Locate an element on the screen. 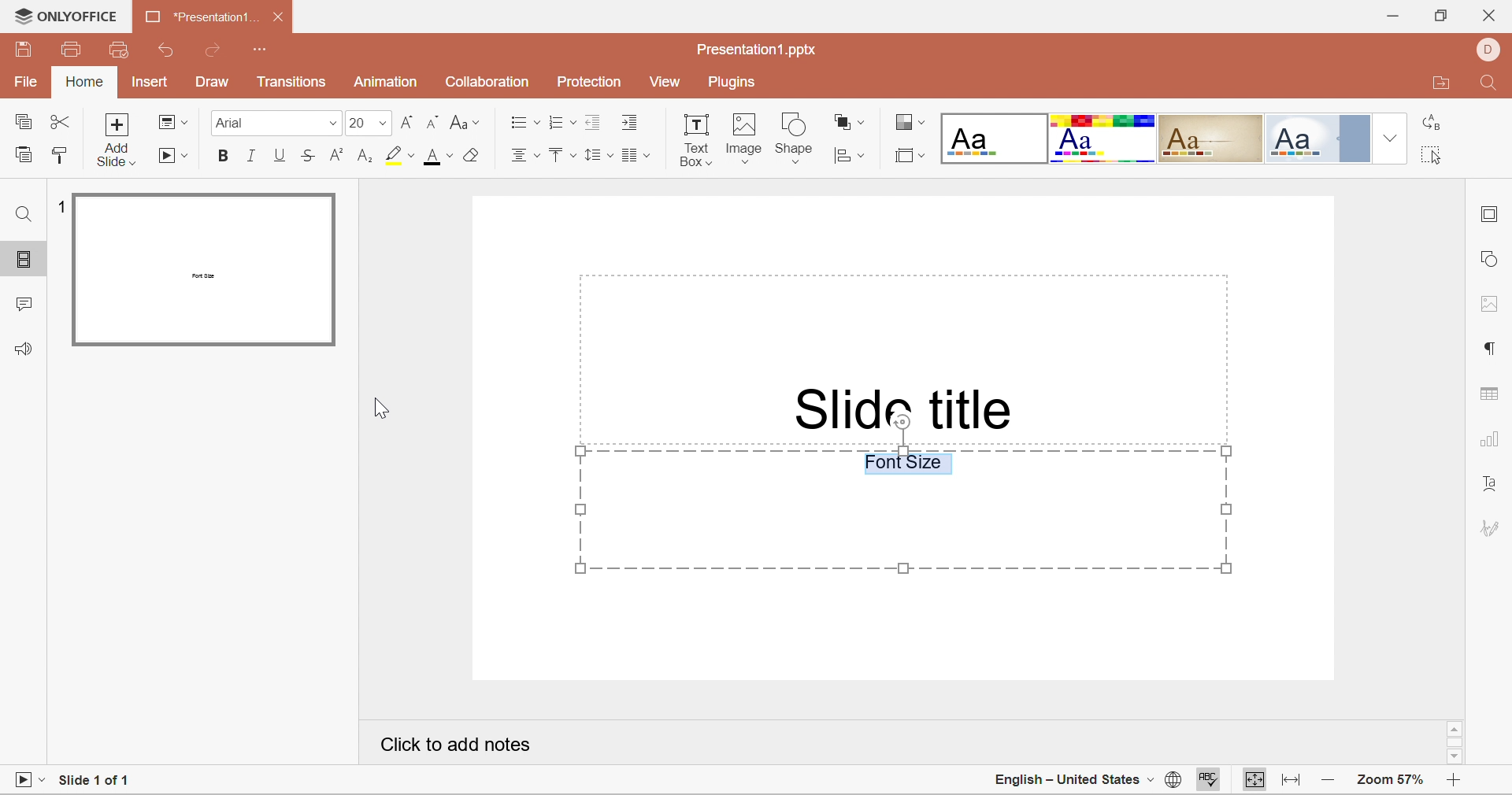 This screenshot has width=1512, height=795. Decrease indent is located at coordinates (593, 124).